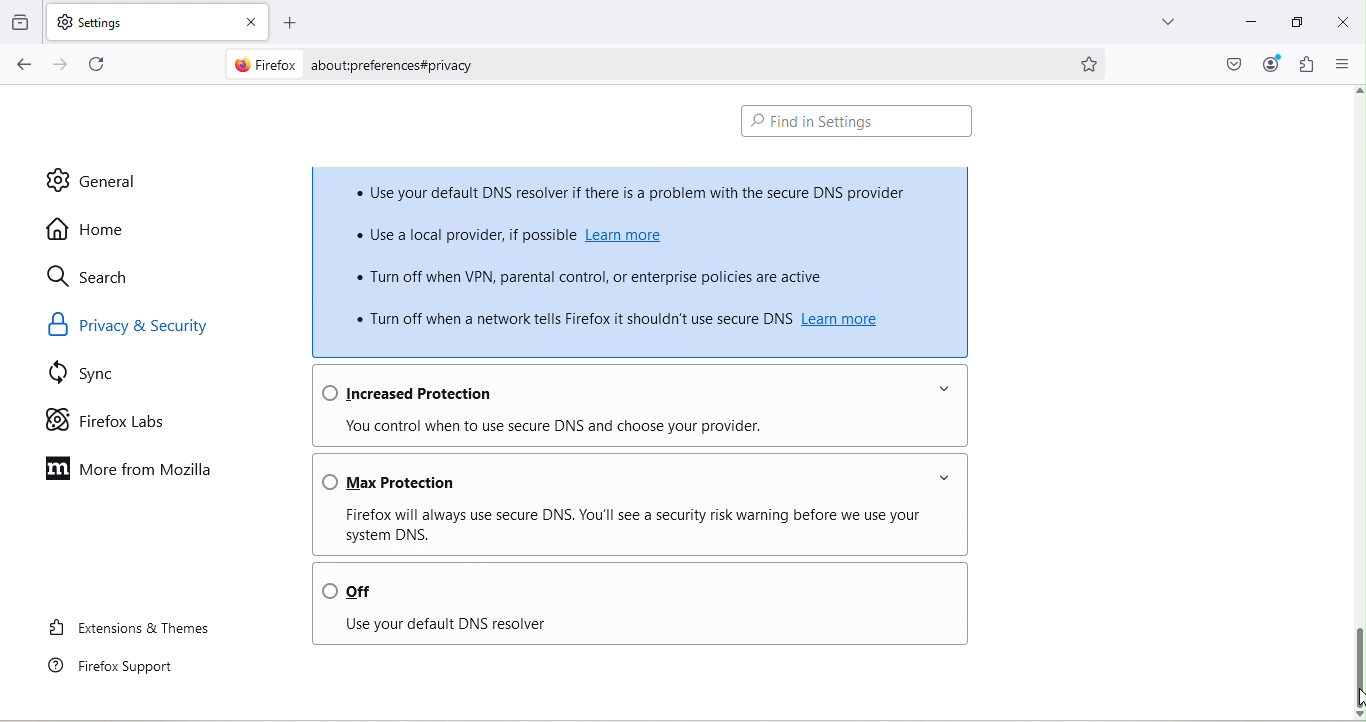  I want to click on Boommark, so click(1095, 62).